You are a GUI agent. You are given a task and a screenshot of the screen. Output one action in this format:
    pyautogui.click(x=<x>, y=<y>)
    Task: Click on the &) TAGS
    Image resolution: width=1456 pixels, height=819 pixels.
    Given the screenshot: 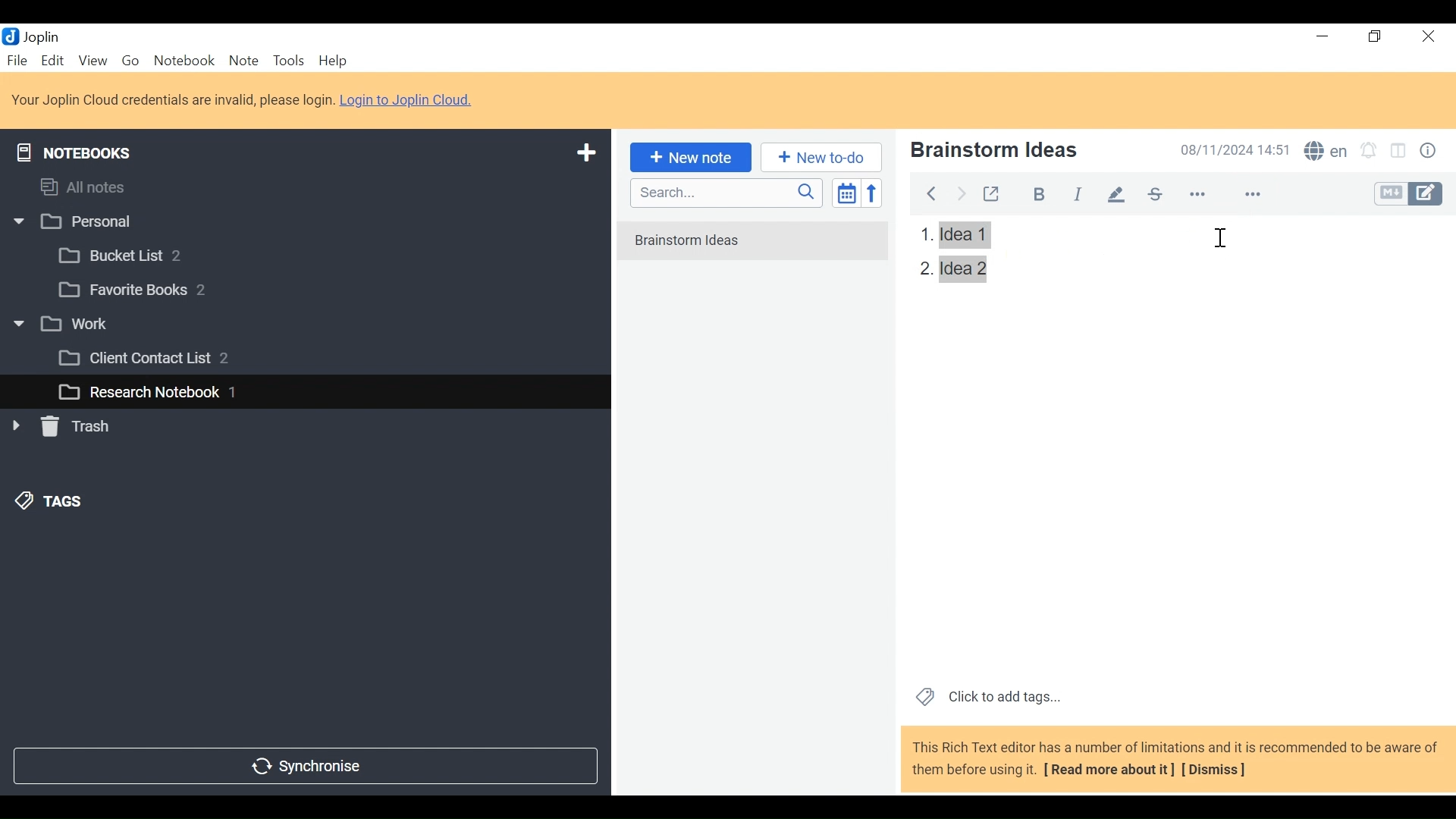 What is the action you would take?
    pyautogui.click(x=66, y=503)
    